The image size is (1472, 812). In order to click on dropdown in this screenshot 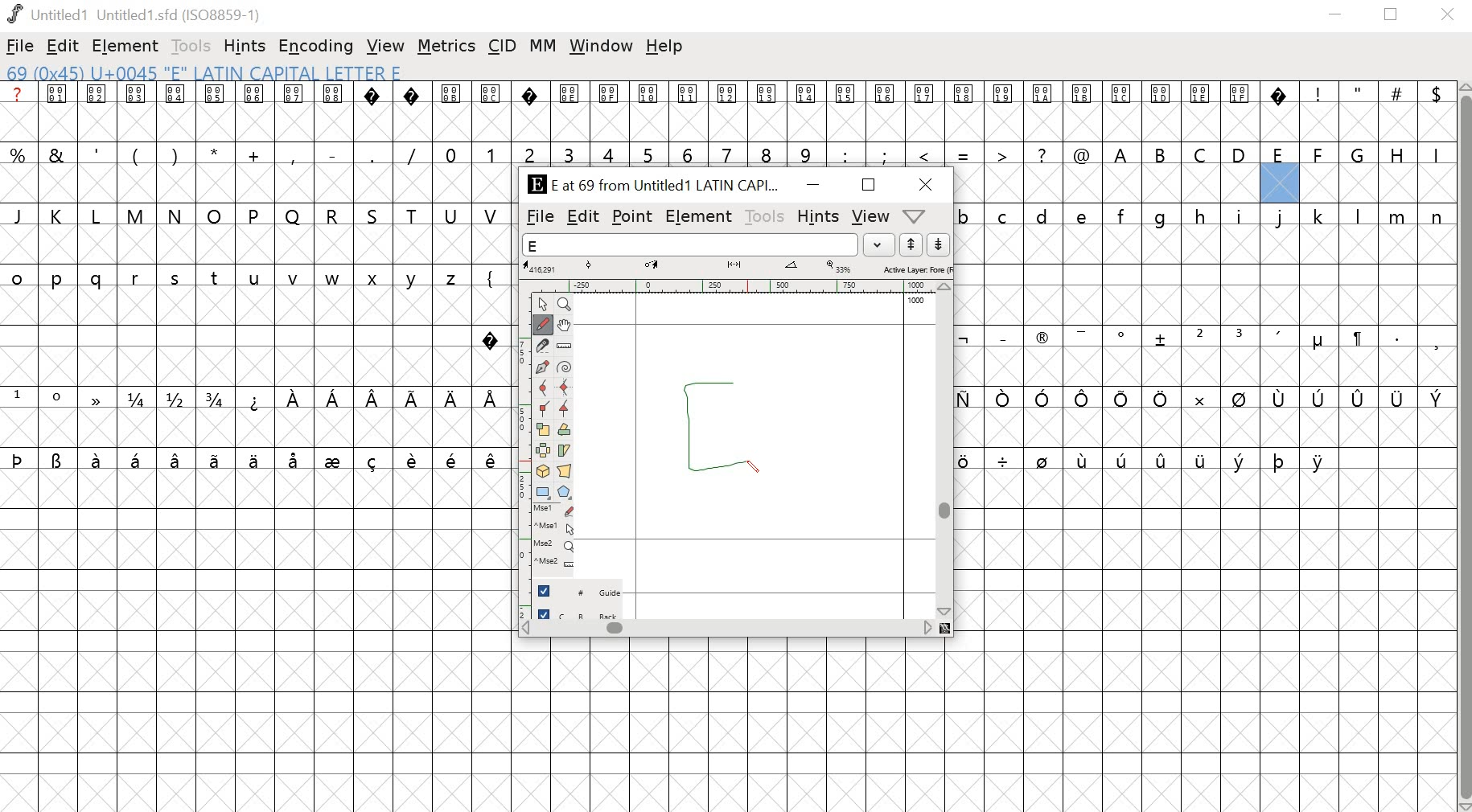, I will do `click(880, 244)`.